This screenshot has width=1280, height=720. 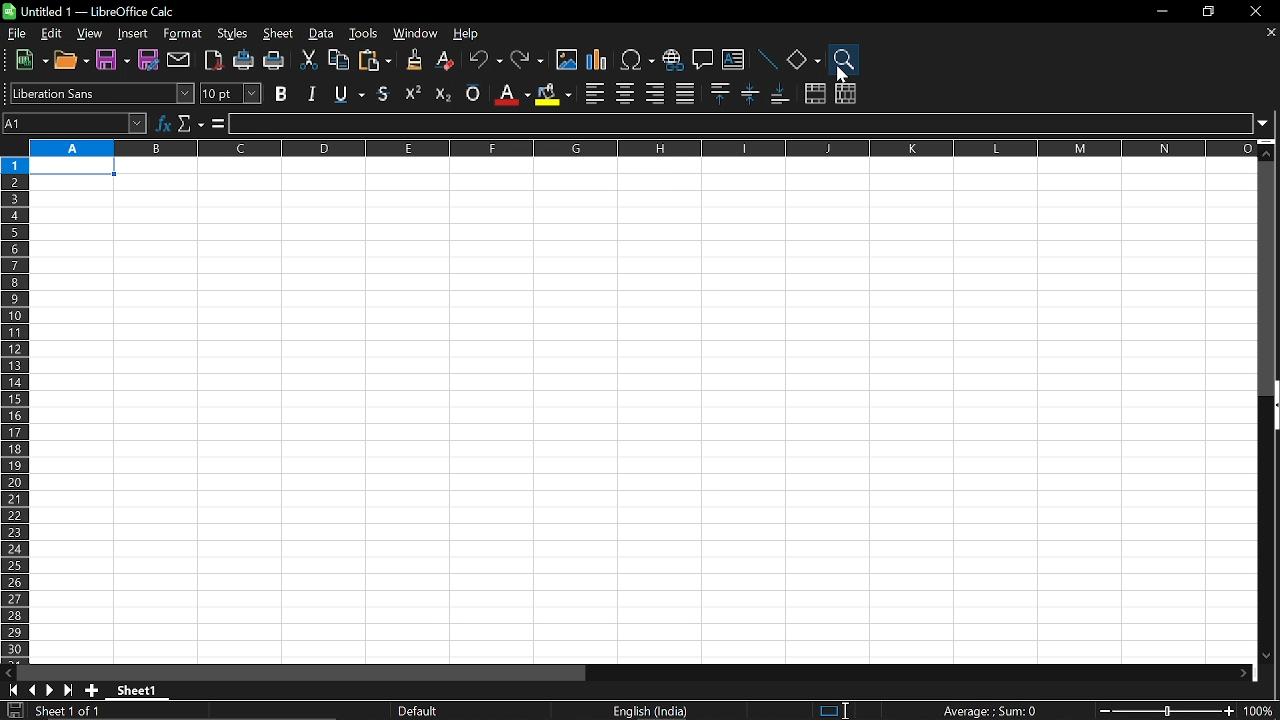 I want to click on styles, so click(x=233, y=35).